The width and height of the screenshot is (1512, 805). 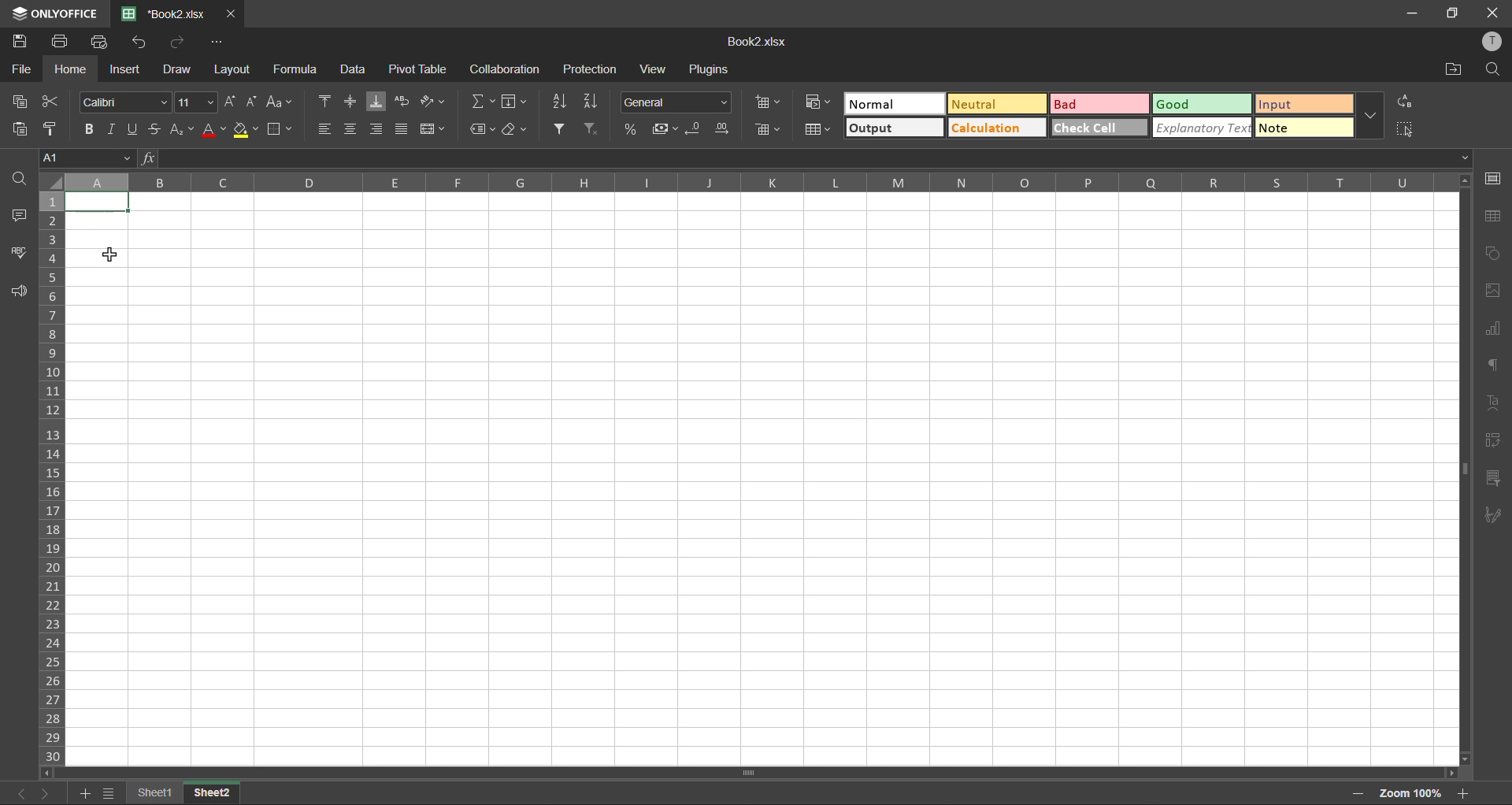 What do you see at coordinates (328, 101) in the screenshot?
I see `align top` at bounding box center [328, 101].